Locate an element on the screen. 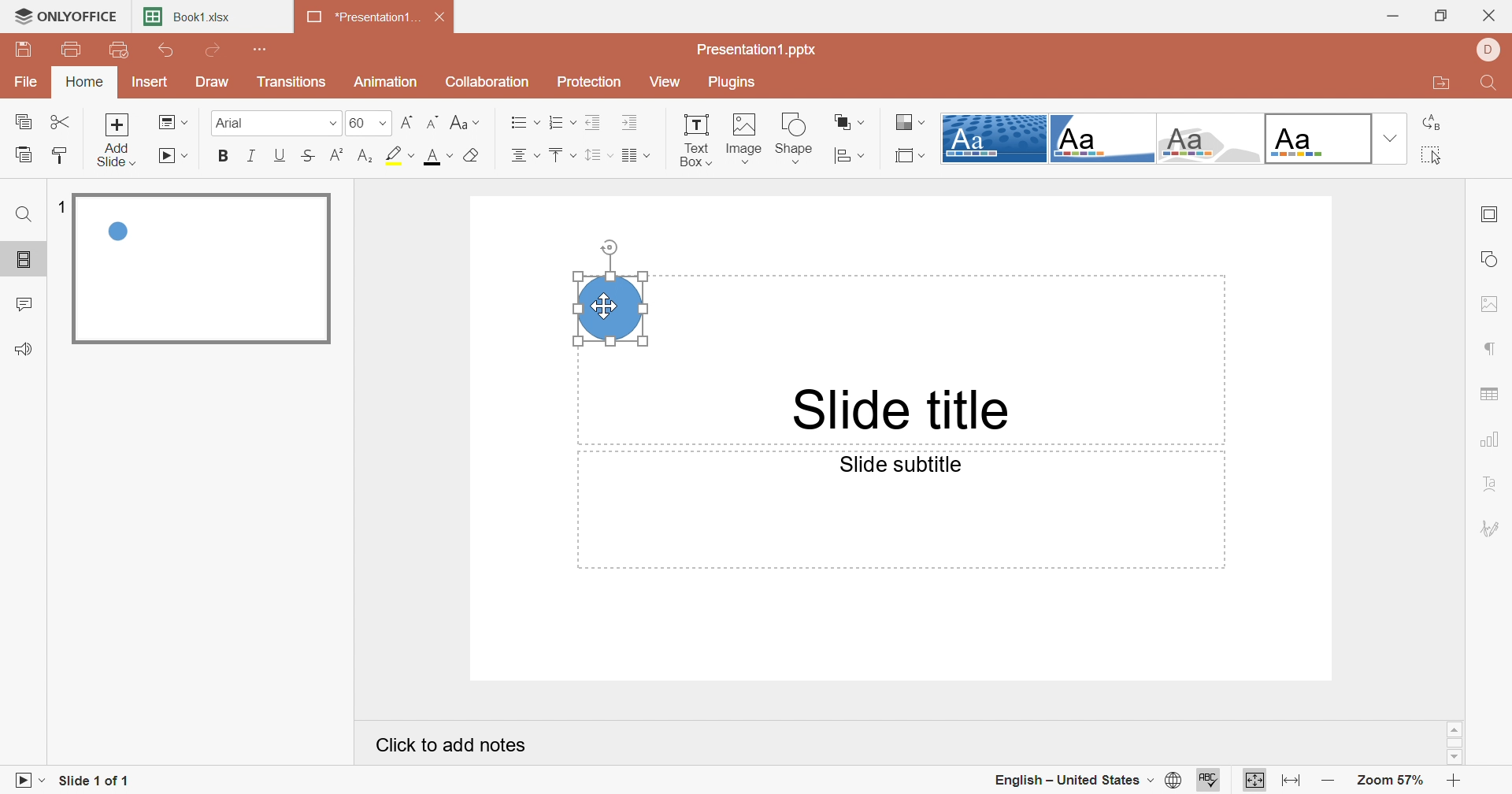 This screenshot has width=1512, height=794. Bold is located at coordinates (225, 155).